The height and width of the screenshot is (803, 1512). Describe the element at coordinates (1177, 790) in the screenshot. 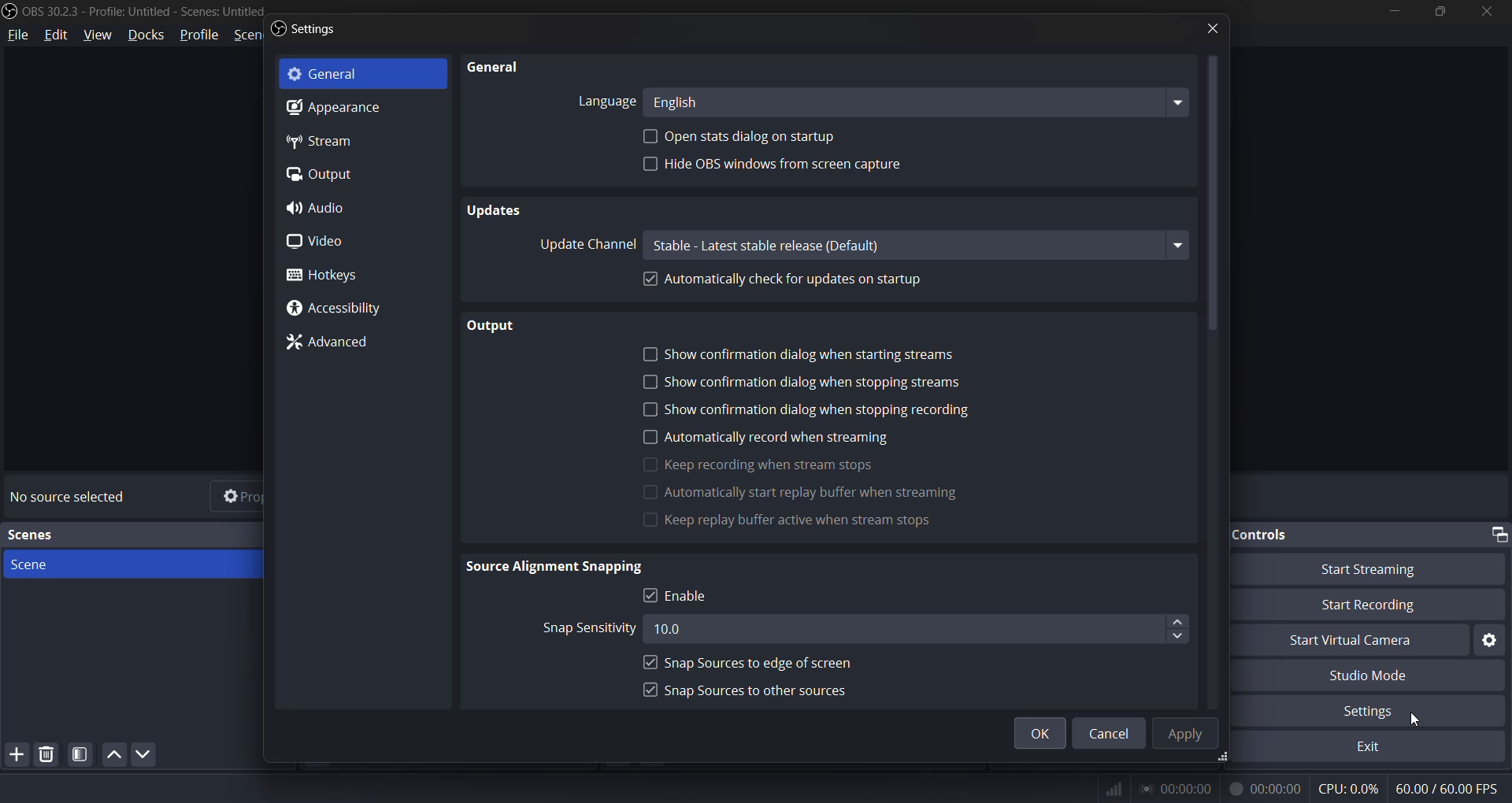

I see `00:00:00` at that location.